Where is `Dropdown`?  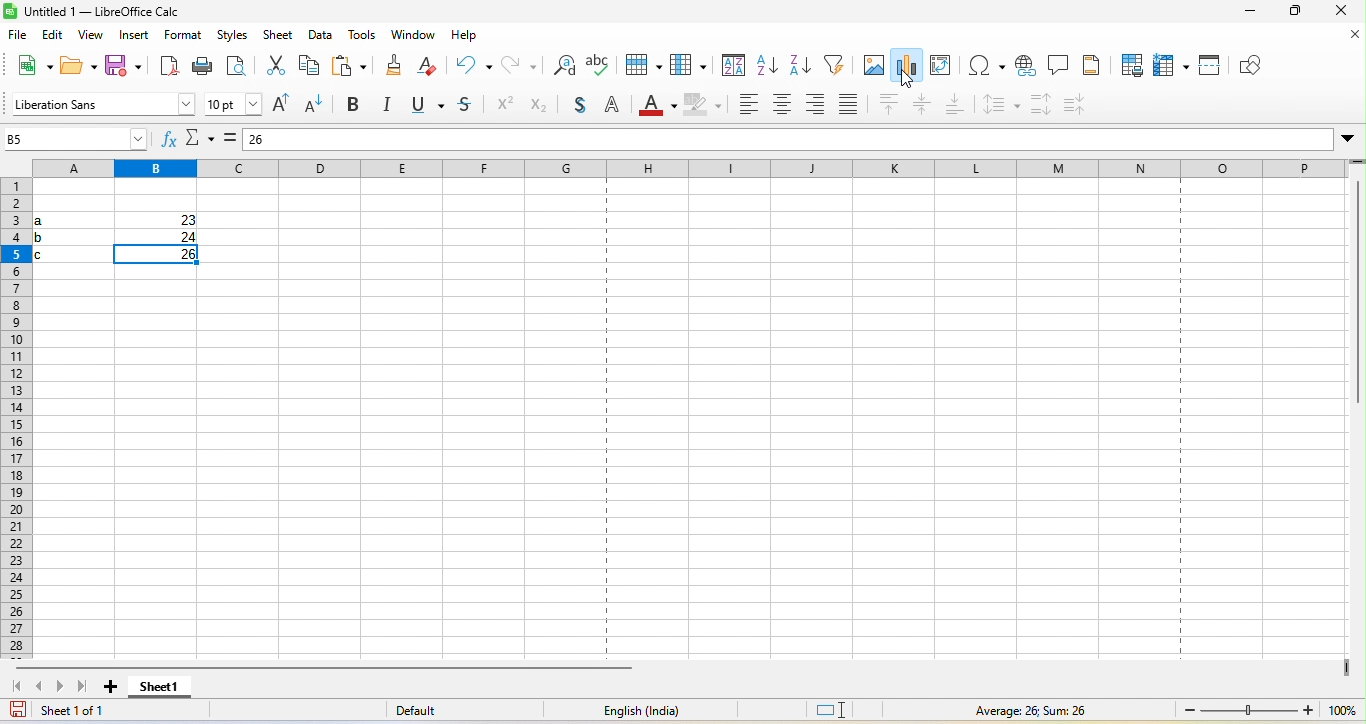 Dropdown is located at coordinates (1348, 137).